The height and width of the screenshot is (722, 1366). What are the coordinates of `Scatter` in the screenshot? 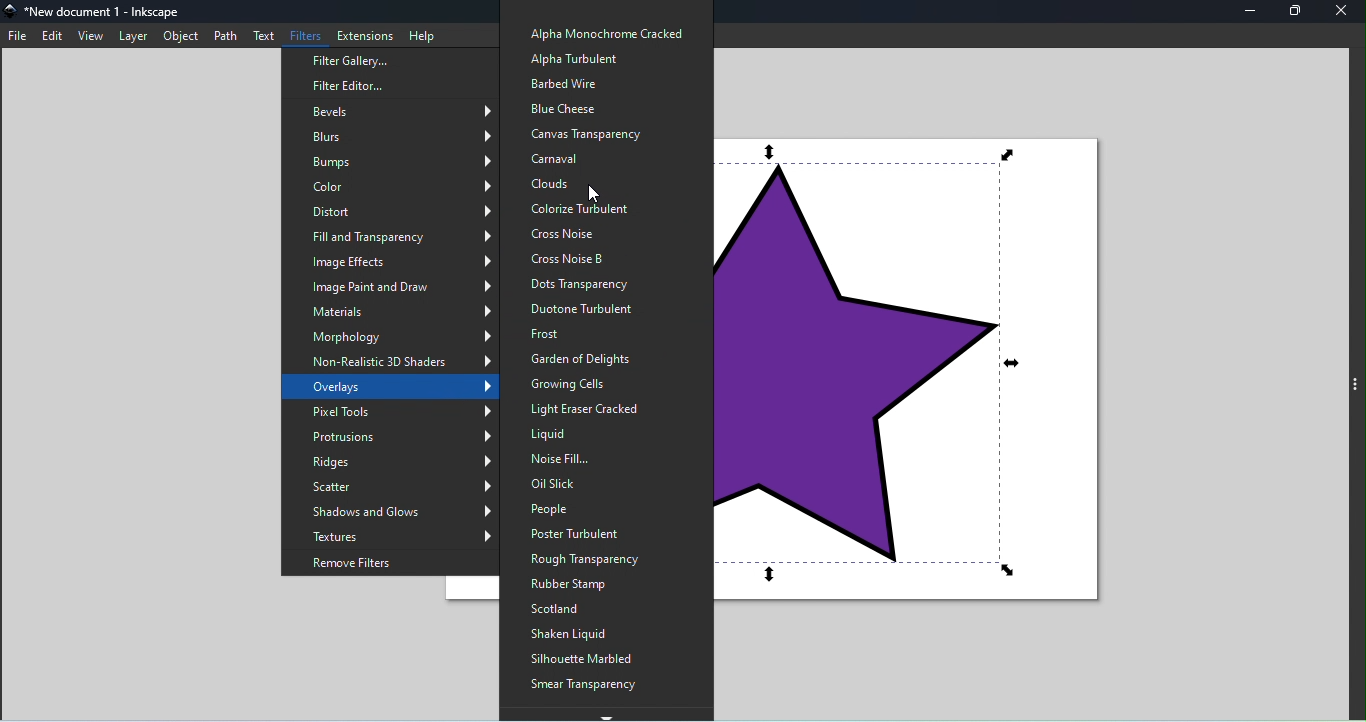 It's located at (394, 489).